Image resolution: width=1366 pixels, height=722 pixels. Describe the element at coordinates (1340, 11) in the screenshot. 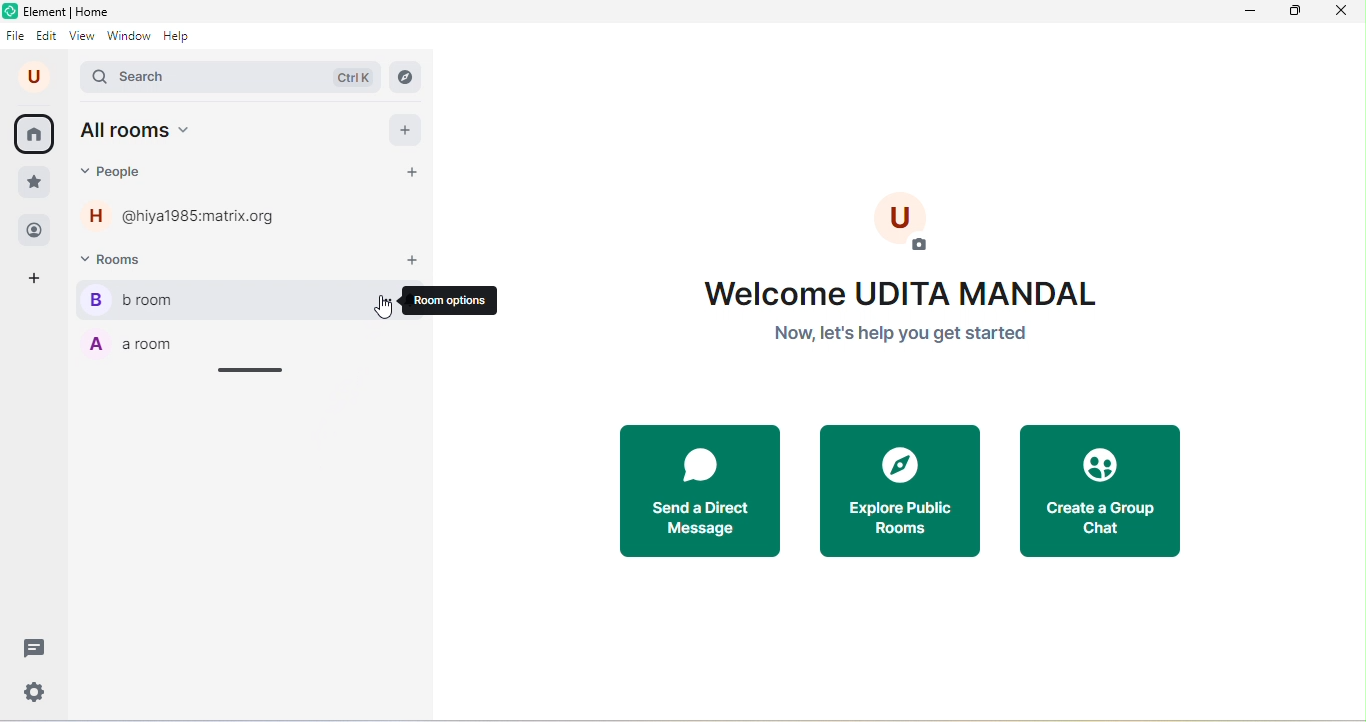

I see `close` at that location.